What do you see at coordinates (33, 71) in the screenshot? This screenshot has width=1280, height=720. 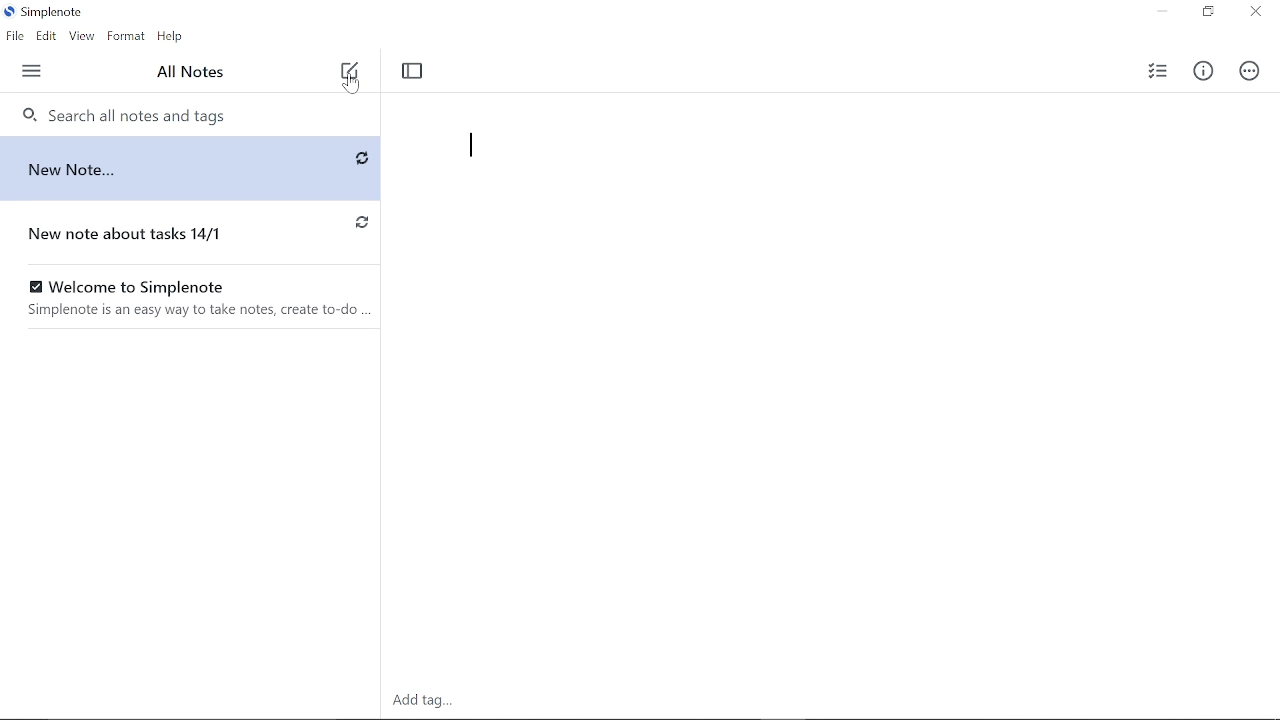 I see `Menu` at bounding box center [33, 71].